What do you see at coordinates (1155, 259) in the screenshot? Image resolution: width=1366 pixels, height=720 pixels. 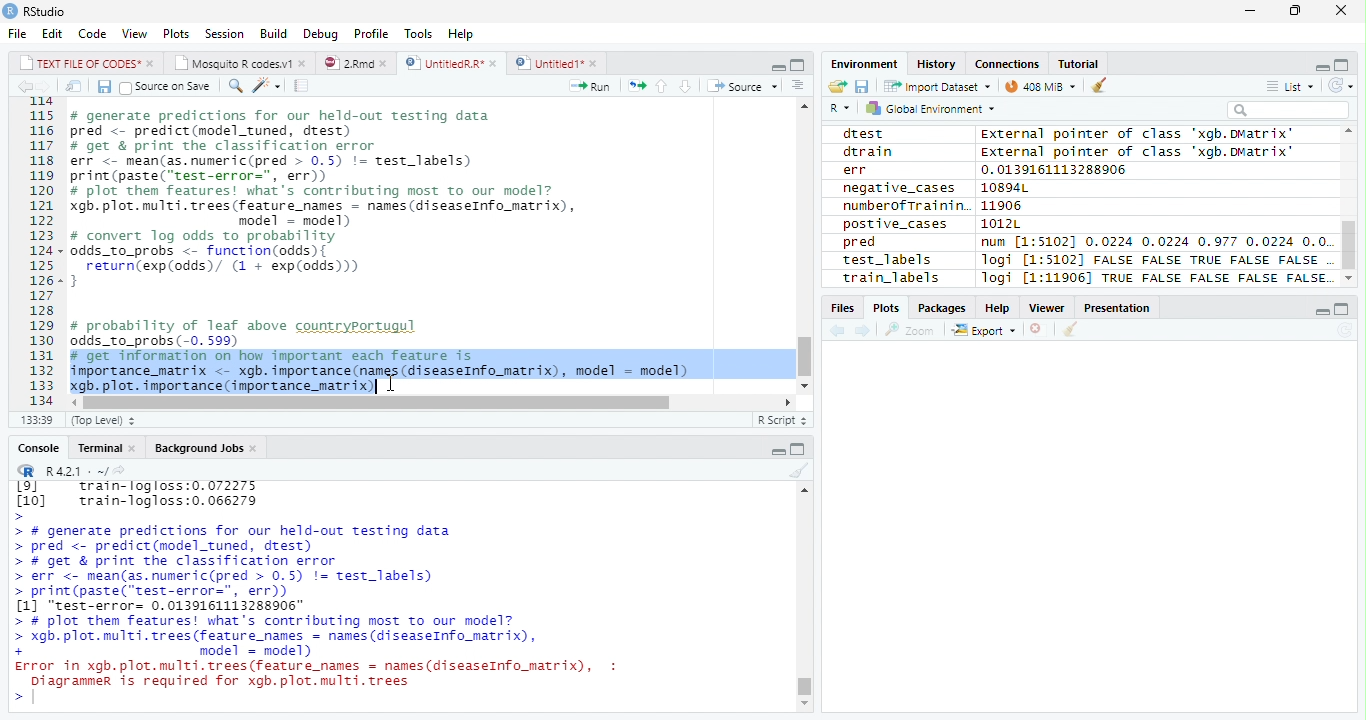 I see `logi [1:5102] FALSE FALSE TRUE FALSE FALSE` at bounding box center [1155, 259].